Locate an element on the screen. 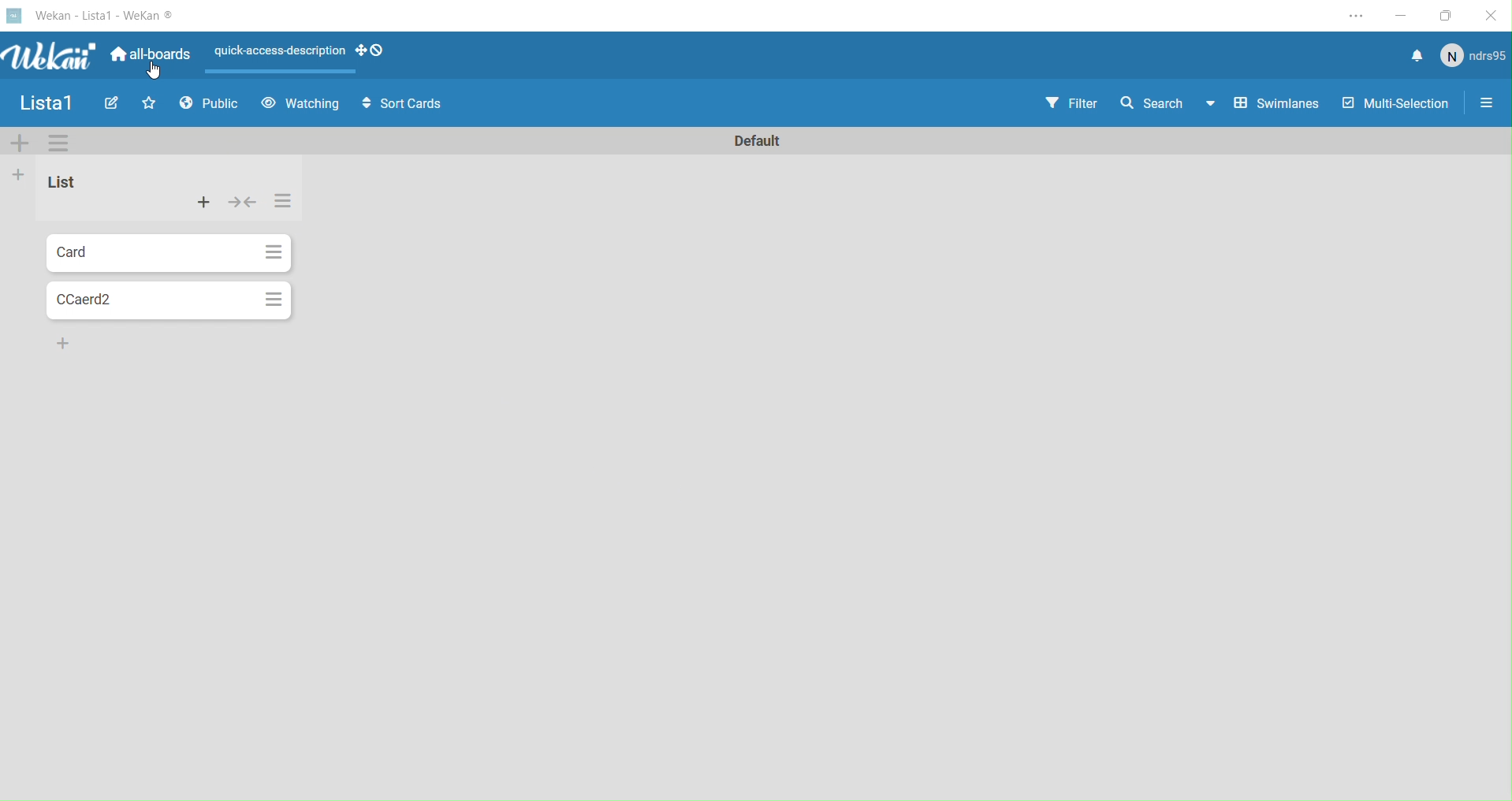 The width and height of the screenshot is (1512, 801). Search is located at coordinates (1163, 101).